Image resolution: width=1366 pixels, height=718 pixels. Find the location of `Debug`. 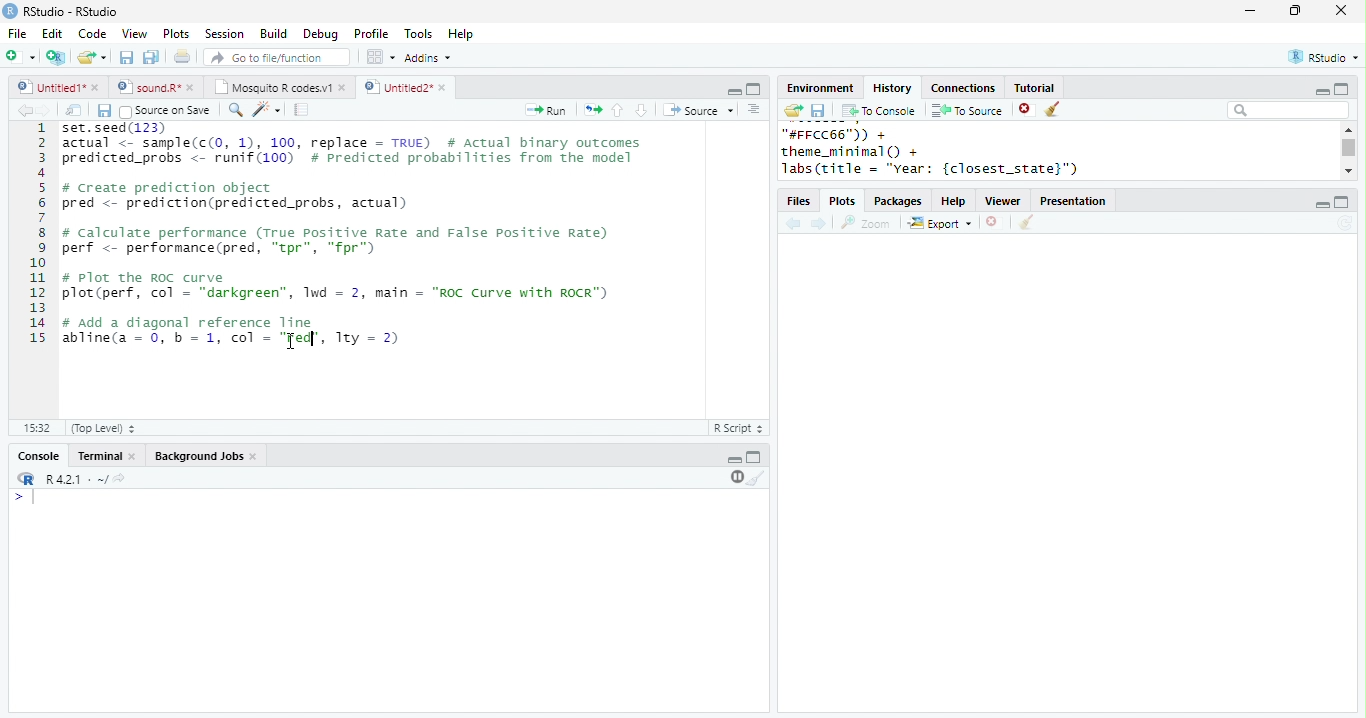

Debug is located at coordinates (323, 35).